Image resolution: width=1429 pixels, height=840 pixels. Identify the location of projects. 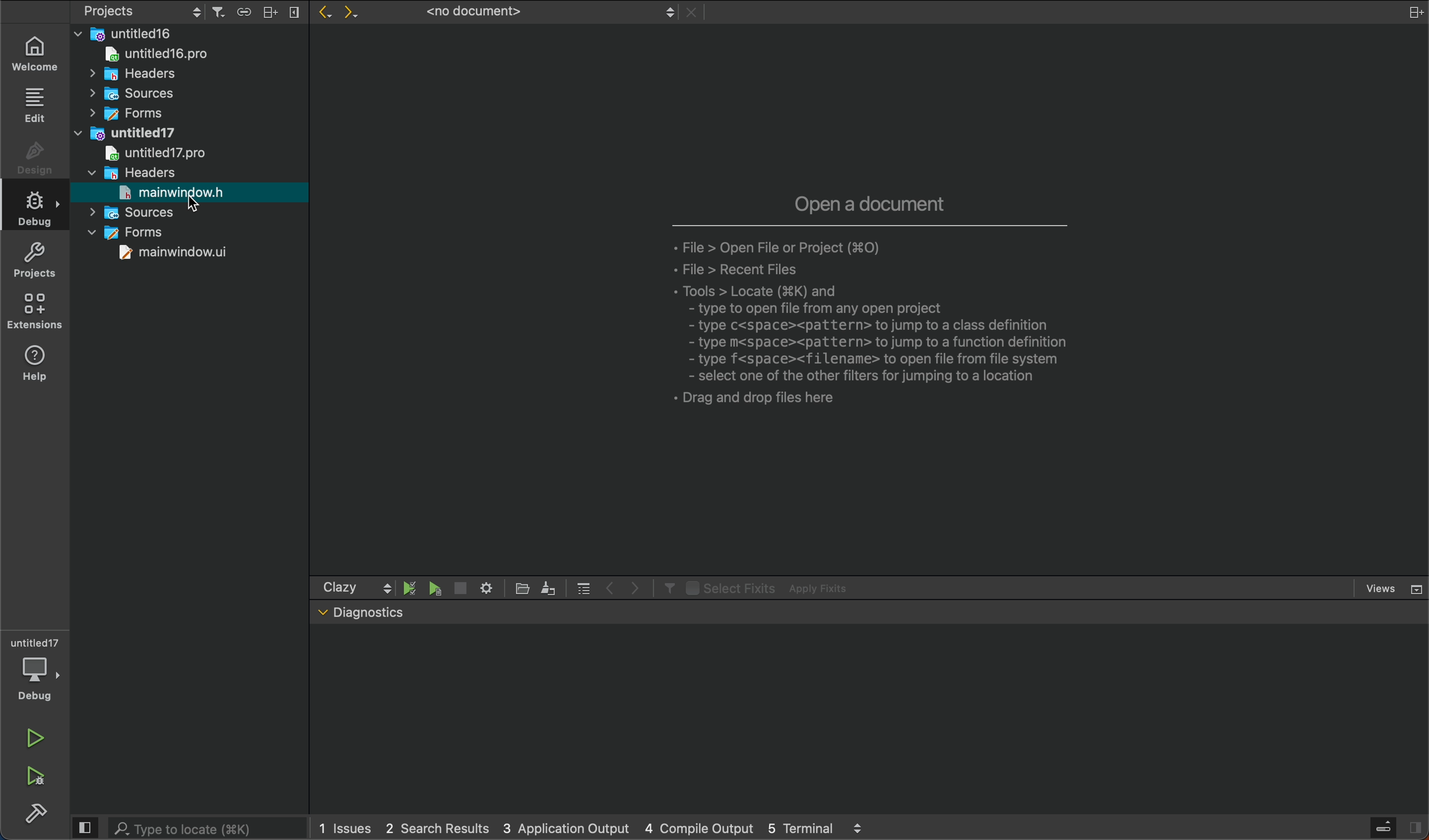
(40, 260).